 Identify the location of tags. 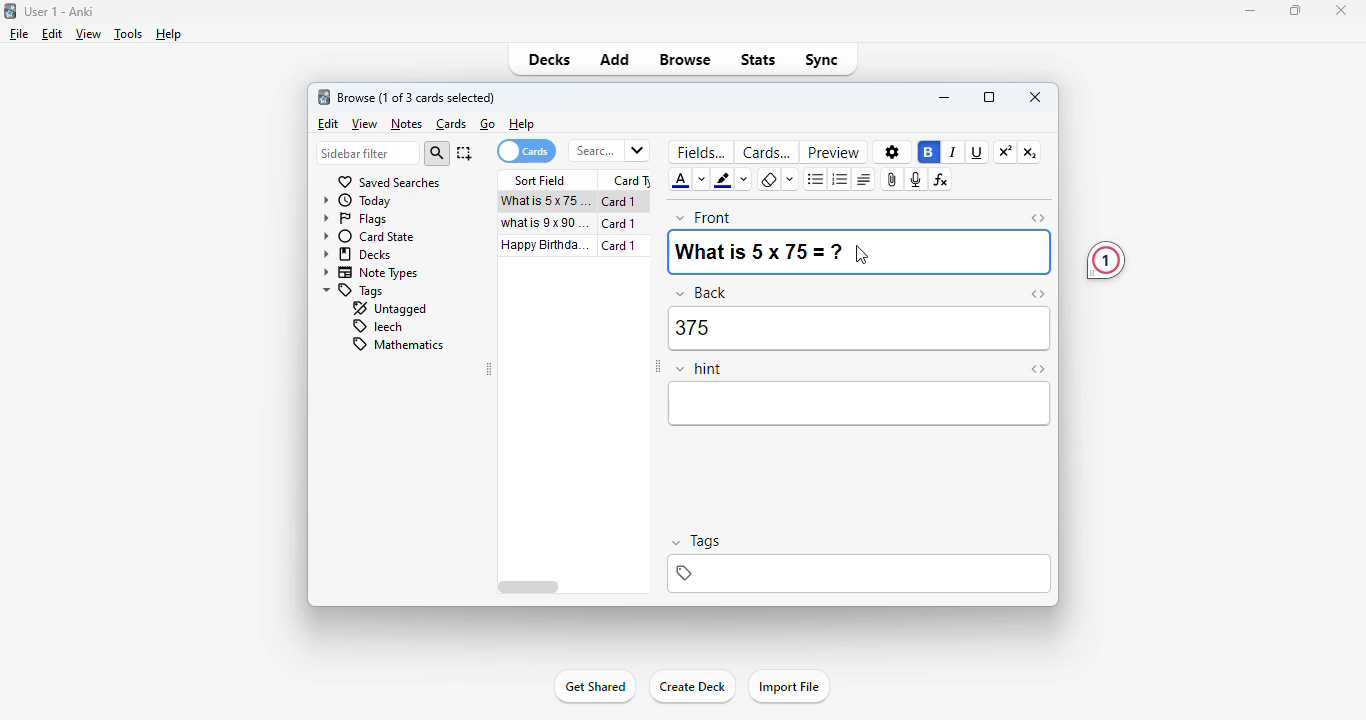
(697, 541).